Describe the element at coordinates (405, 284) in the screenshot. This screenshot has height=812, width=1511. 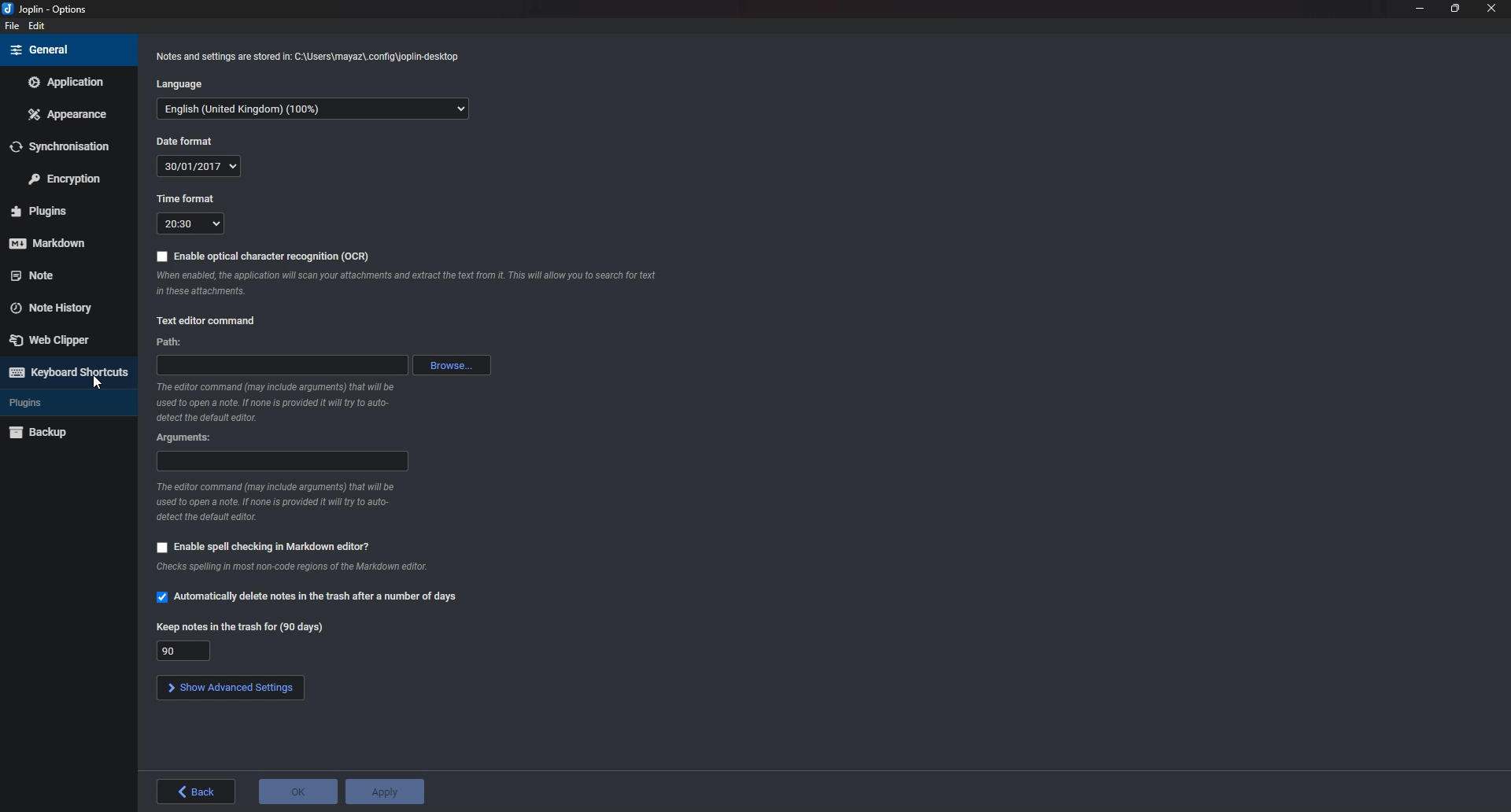
I see `info` at that location.